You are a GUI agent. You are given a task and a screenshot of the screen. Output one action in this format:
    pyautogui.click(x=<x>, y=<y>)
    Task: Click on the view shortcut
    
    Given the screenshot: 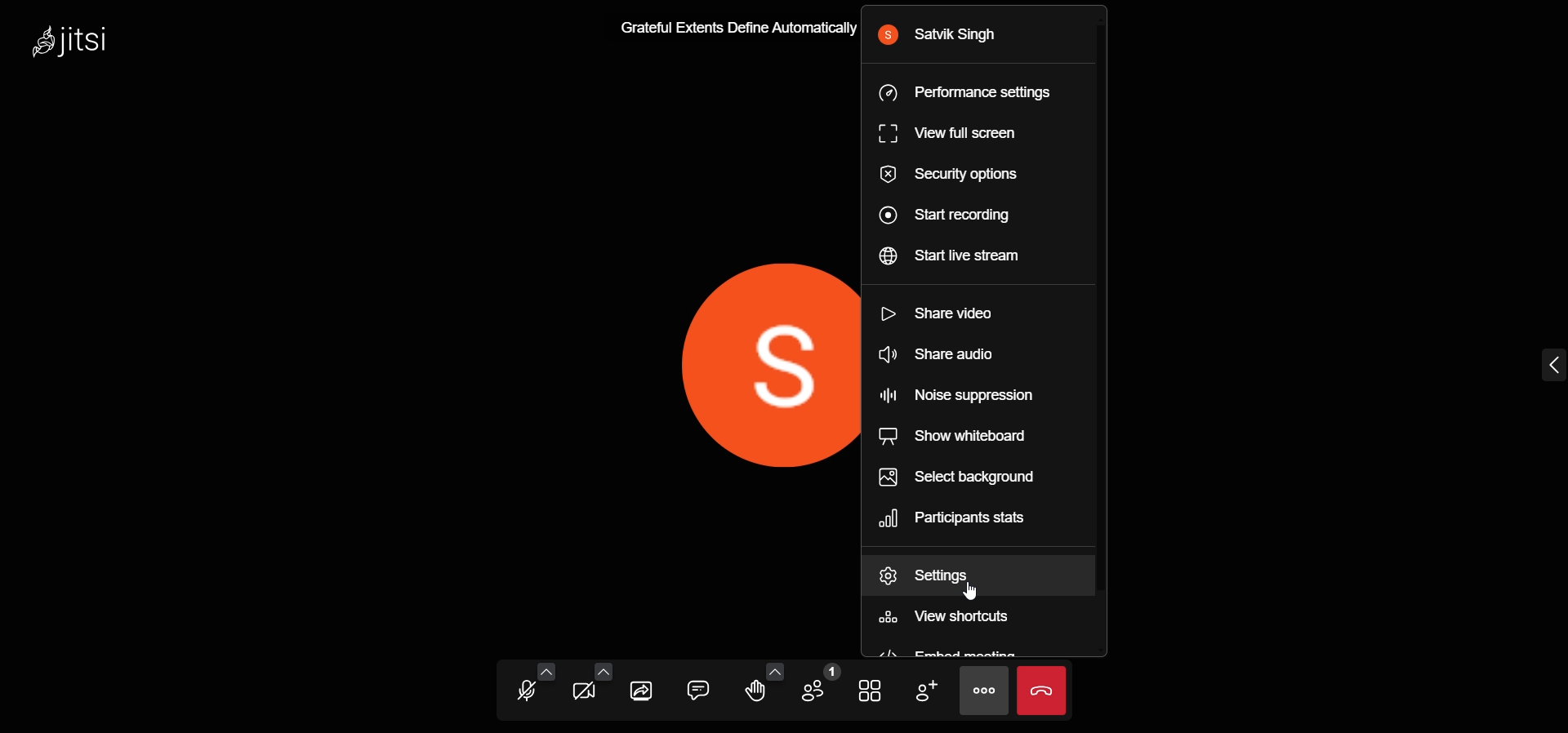 What is the action you would take?
    pyautogui.click(x=947, y=619)
    